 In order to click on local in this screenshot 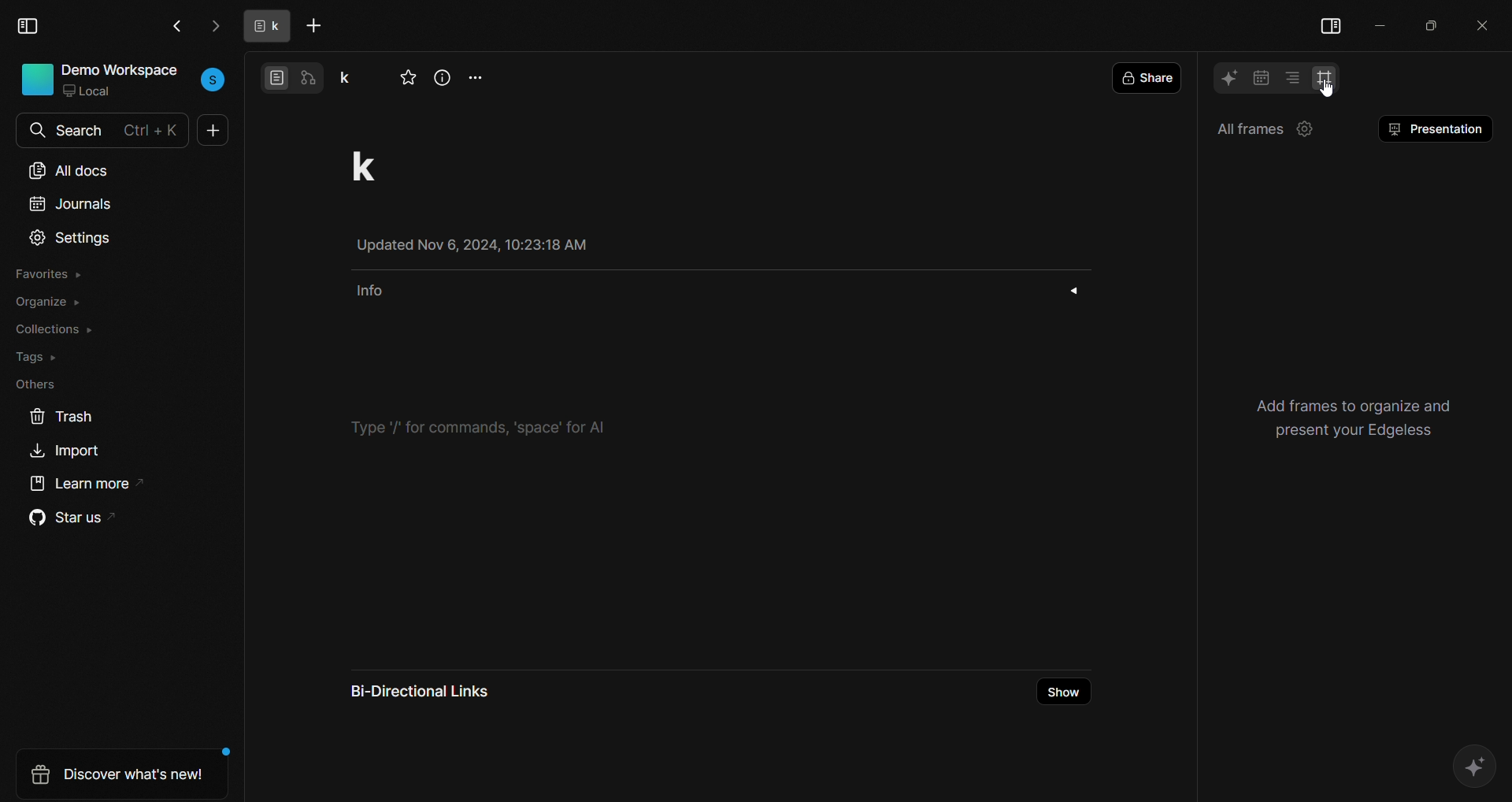, I will do `click(94, 93)`.